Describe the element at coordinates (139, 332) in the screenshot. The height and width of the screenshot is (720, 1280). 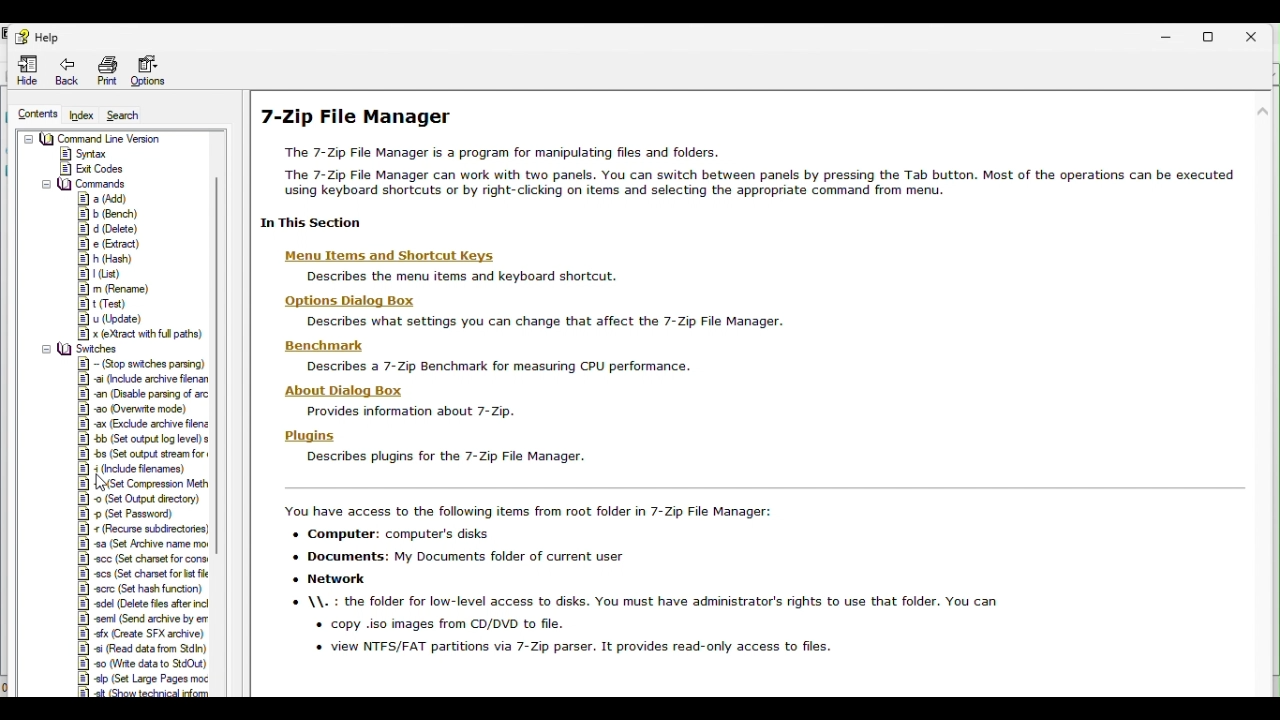
I see `extract` at that location.